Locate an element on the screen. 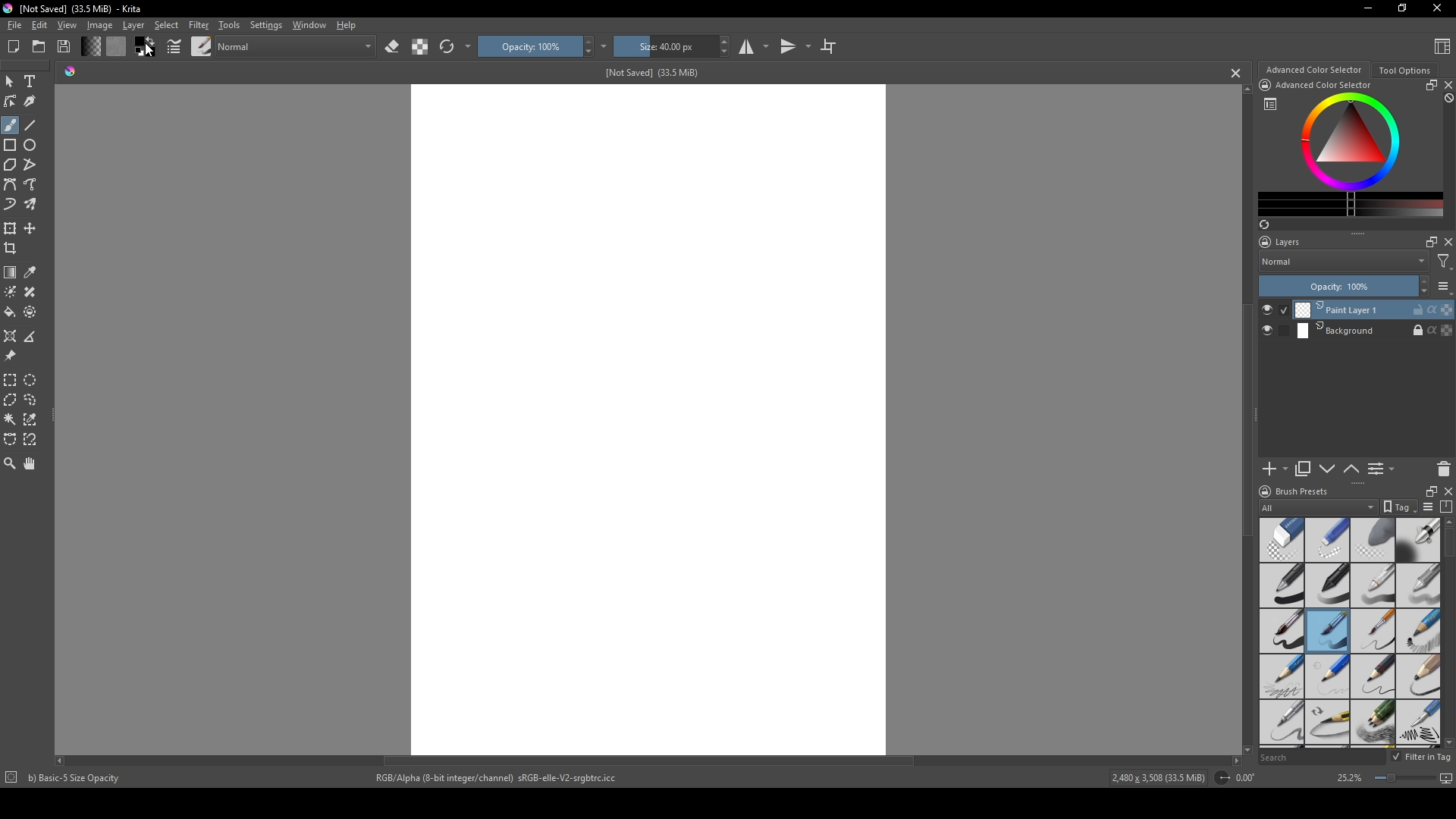 The height and width of the screenshot is (819, 1456). scroll down is located at coordinates (1447, 742).